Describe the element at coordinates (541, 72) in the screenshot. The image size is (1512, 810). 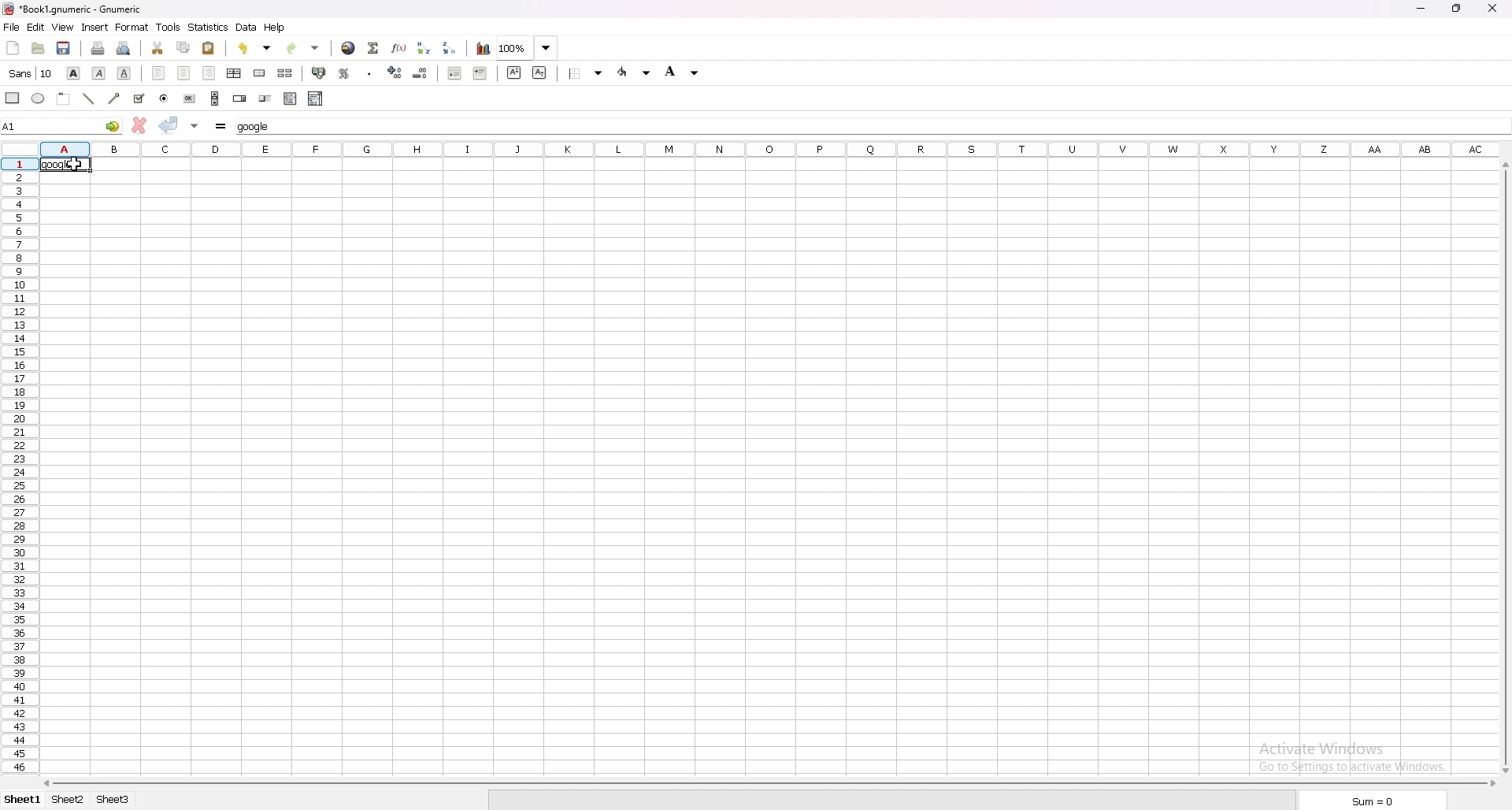
I see `subscript` at that location.